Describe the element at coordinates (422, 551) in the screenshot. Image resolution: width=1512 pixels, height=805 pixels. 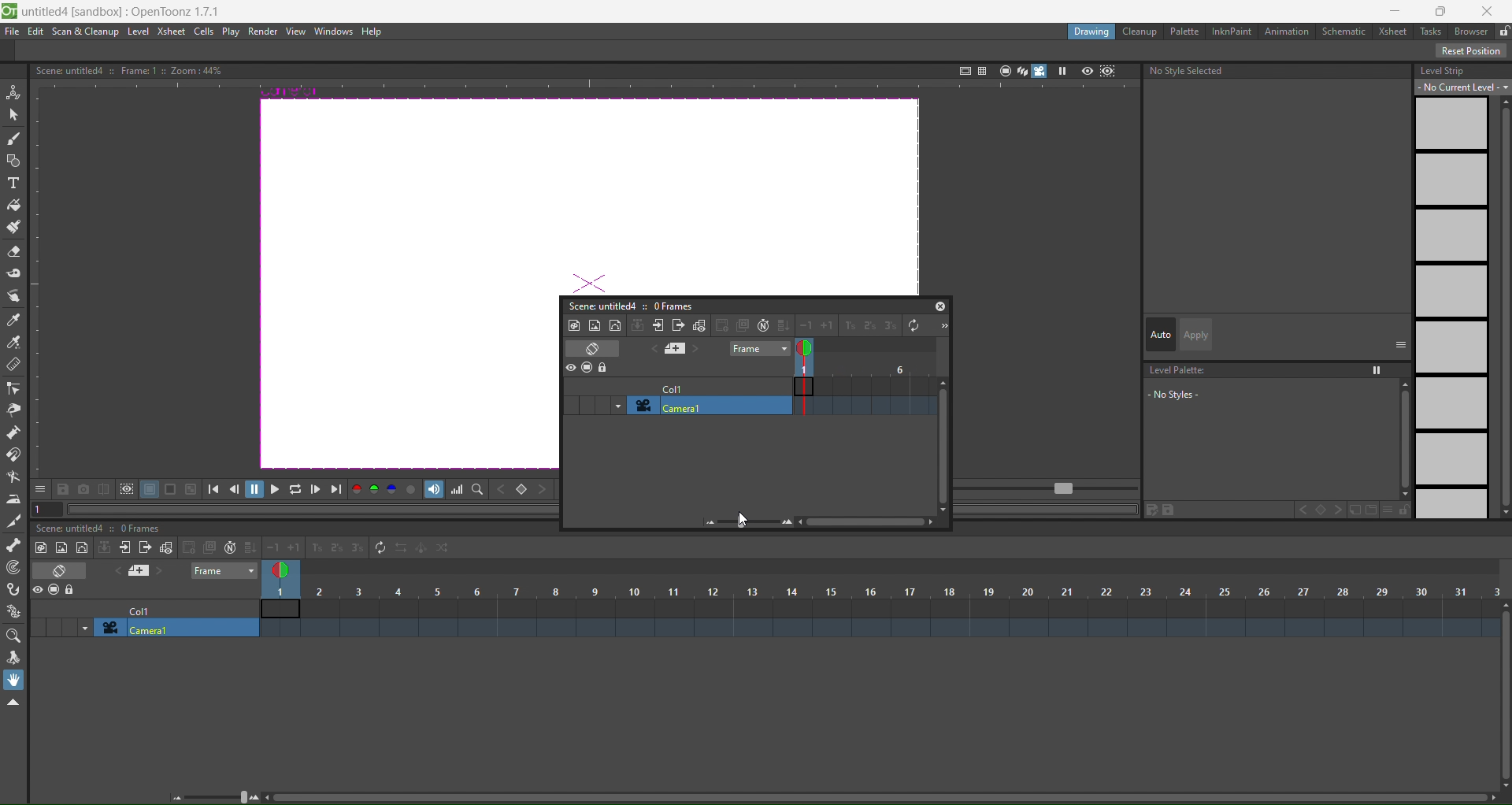
I see `swing` at that location.